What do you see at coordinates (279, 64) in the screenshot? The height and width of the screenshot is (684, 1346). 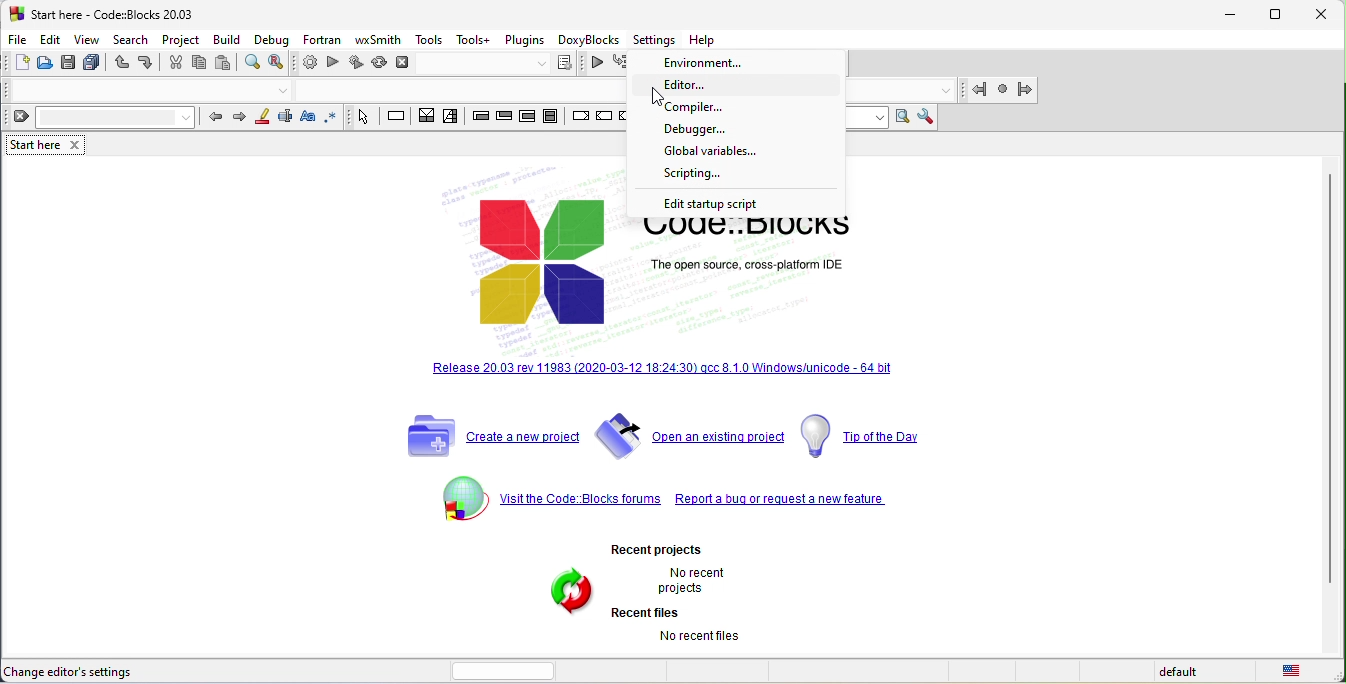 I see `replace` at bounding box center [279, 64].